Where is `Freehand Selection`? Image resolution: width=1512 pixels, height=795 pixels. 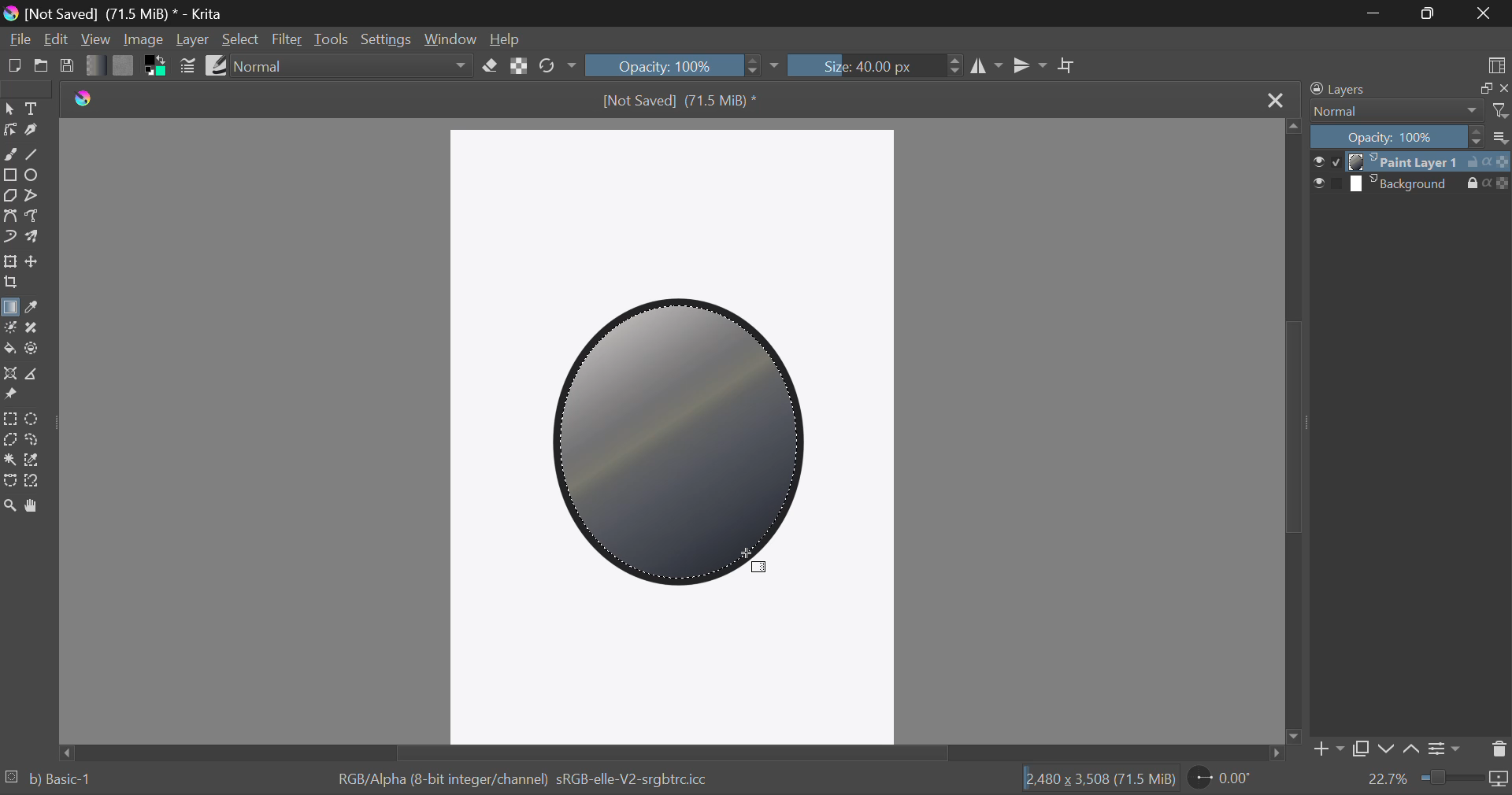
Freehand Selection is located at coordinates (36, 438).